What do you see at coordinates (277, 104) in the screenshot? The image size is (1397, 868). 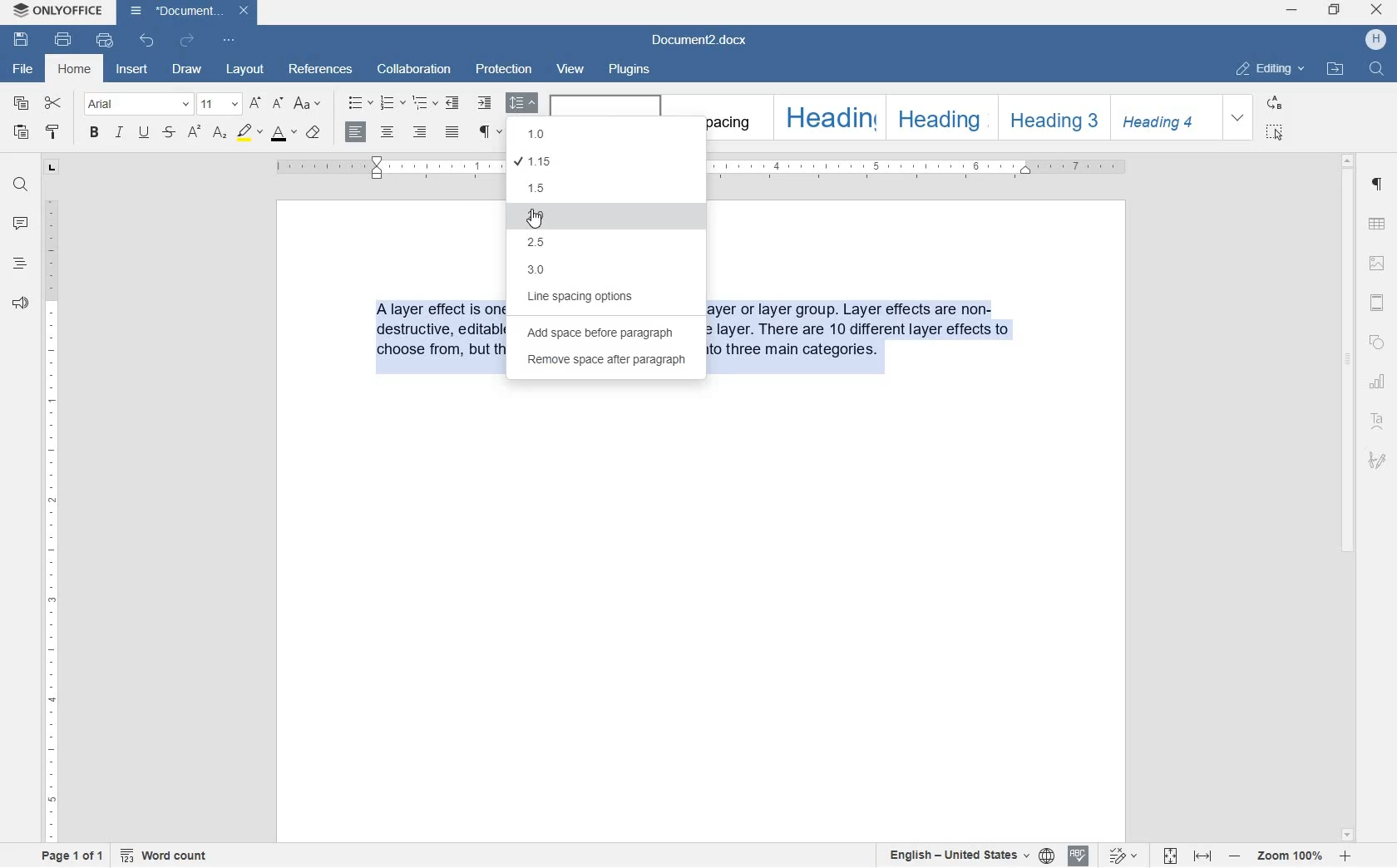 I see `decrement font size` at bounding box center [277, 104].